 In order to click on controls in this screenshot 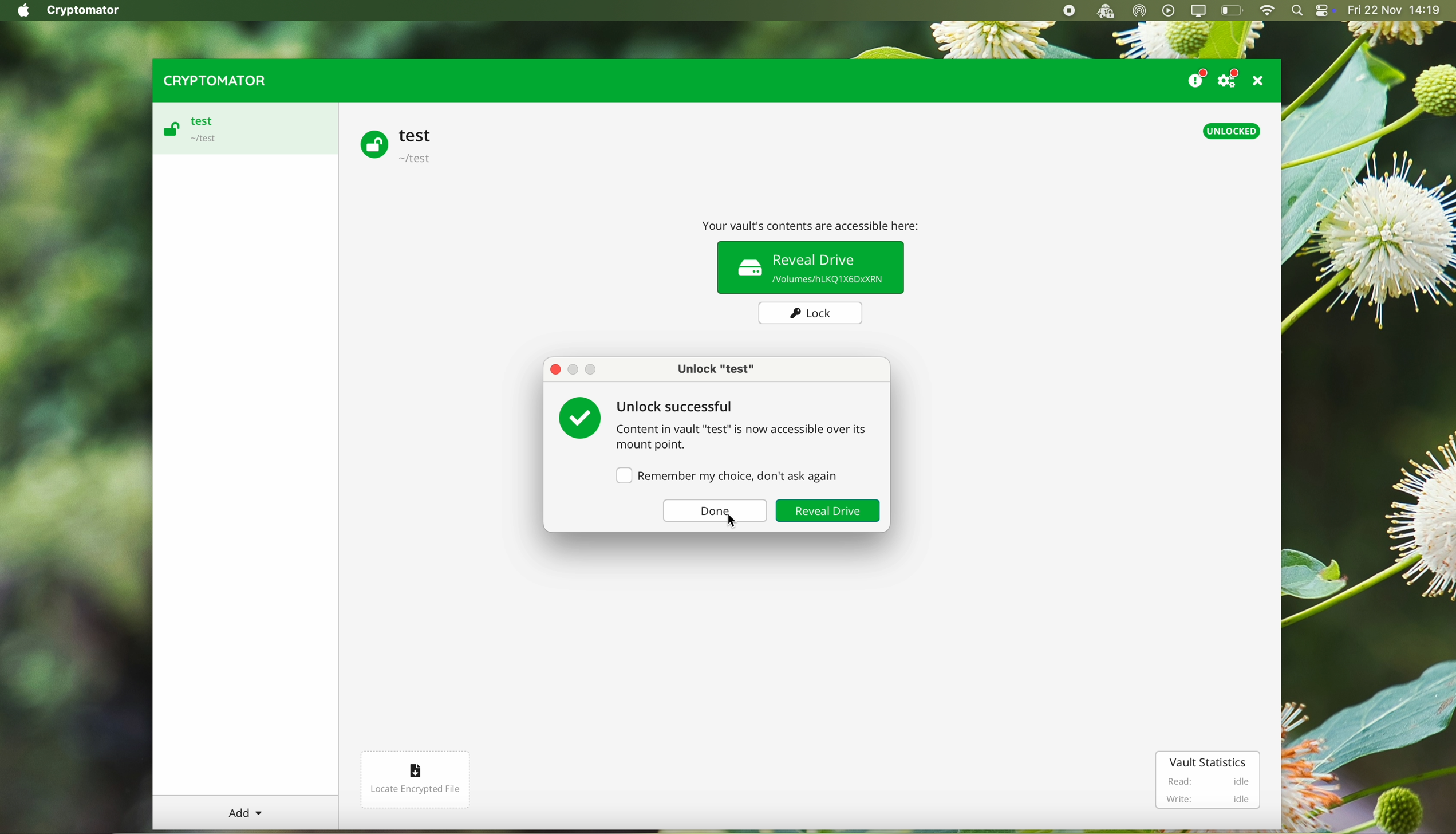, I will do `click(1325, 11)`.